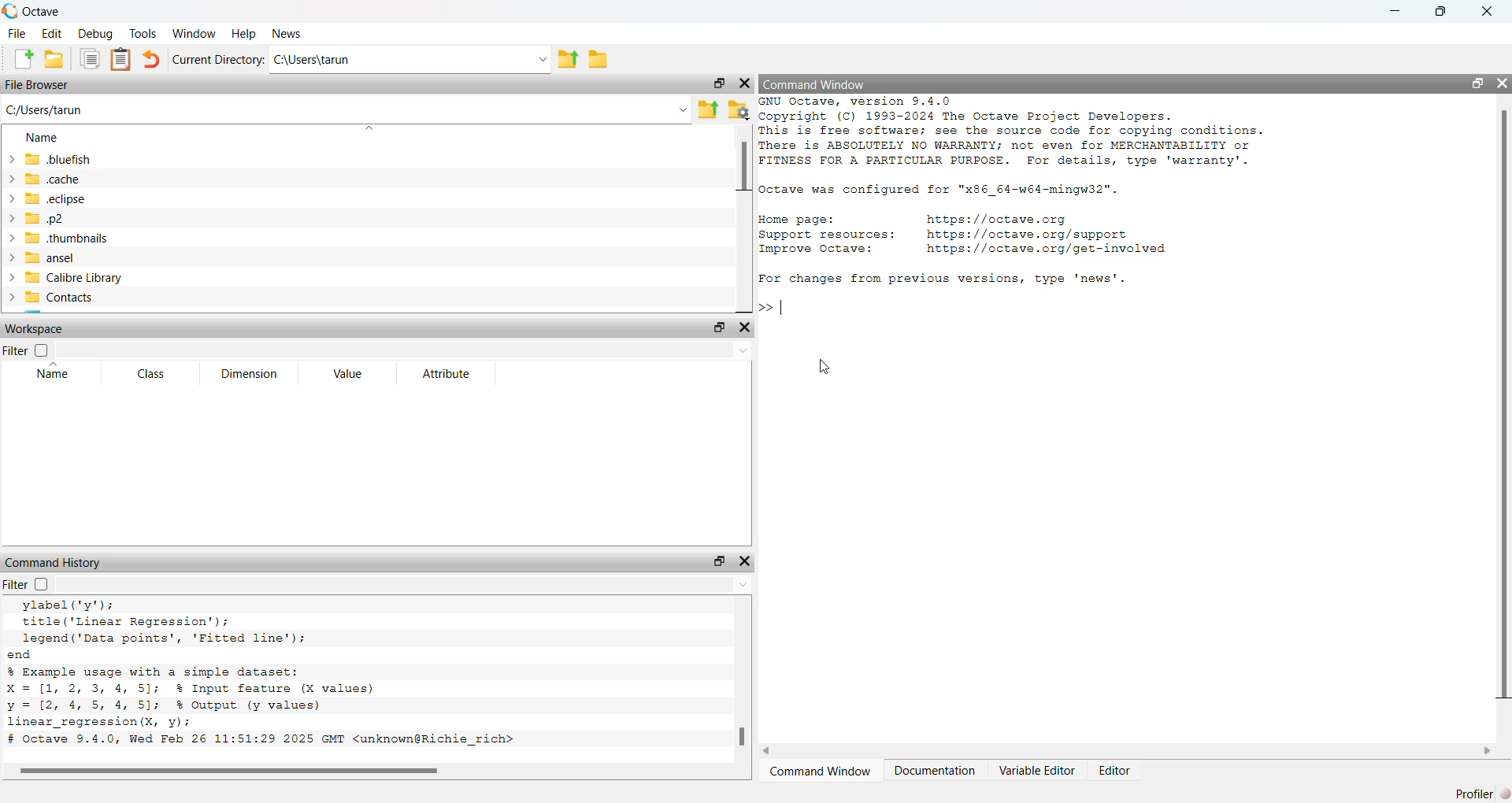  I want to click on .p2, so click(103, 218).